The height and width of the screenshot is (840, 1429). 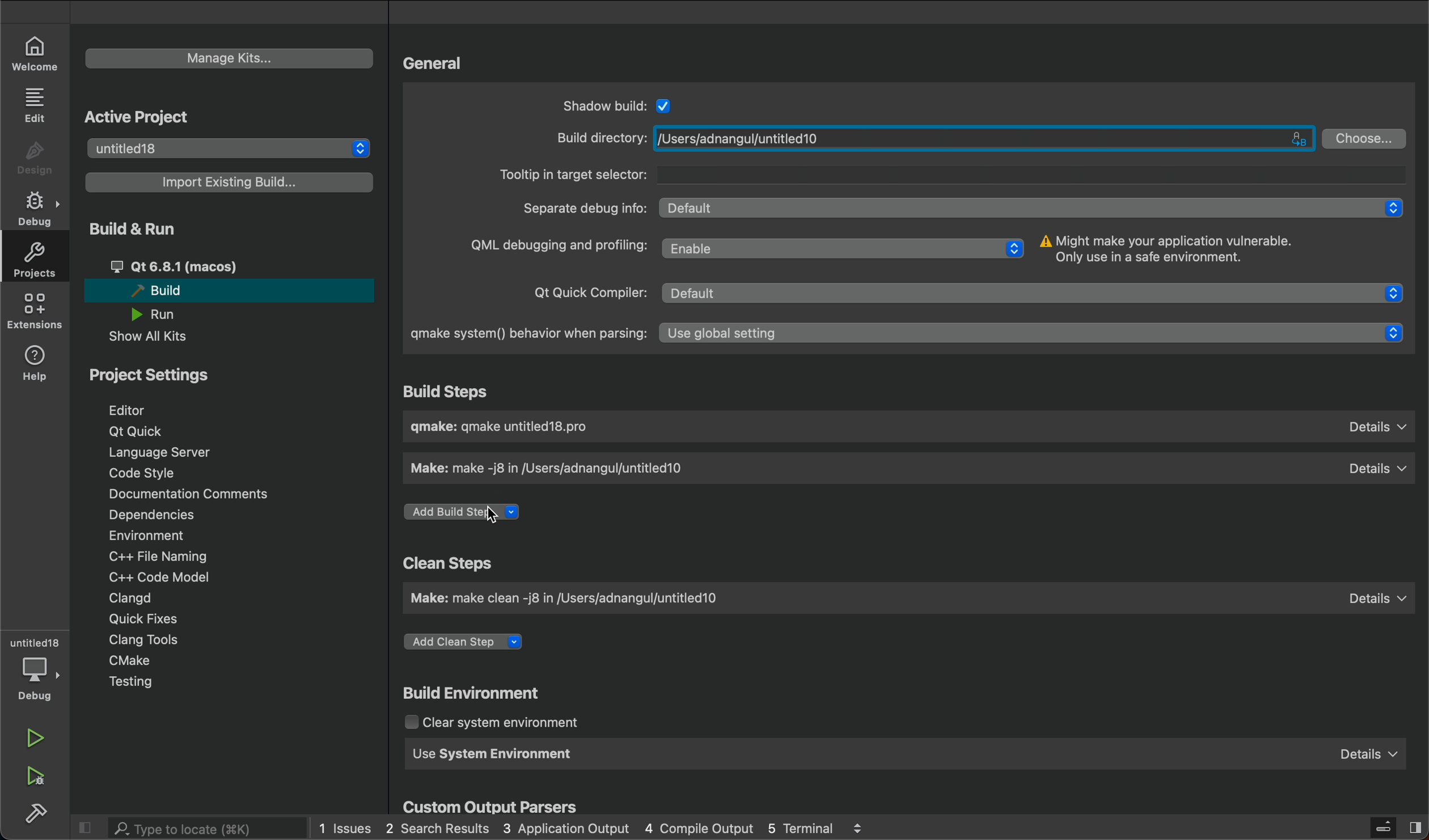 I want to click on logs, so click(x=859, y=826).